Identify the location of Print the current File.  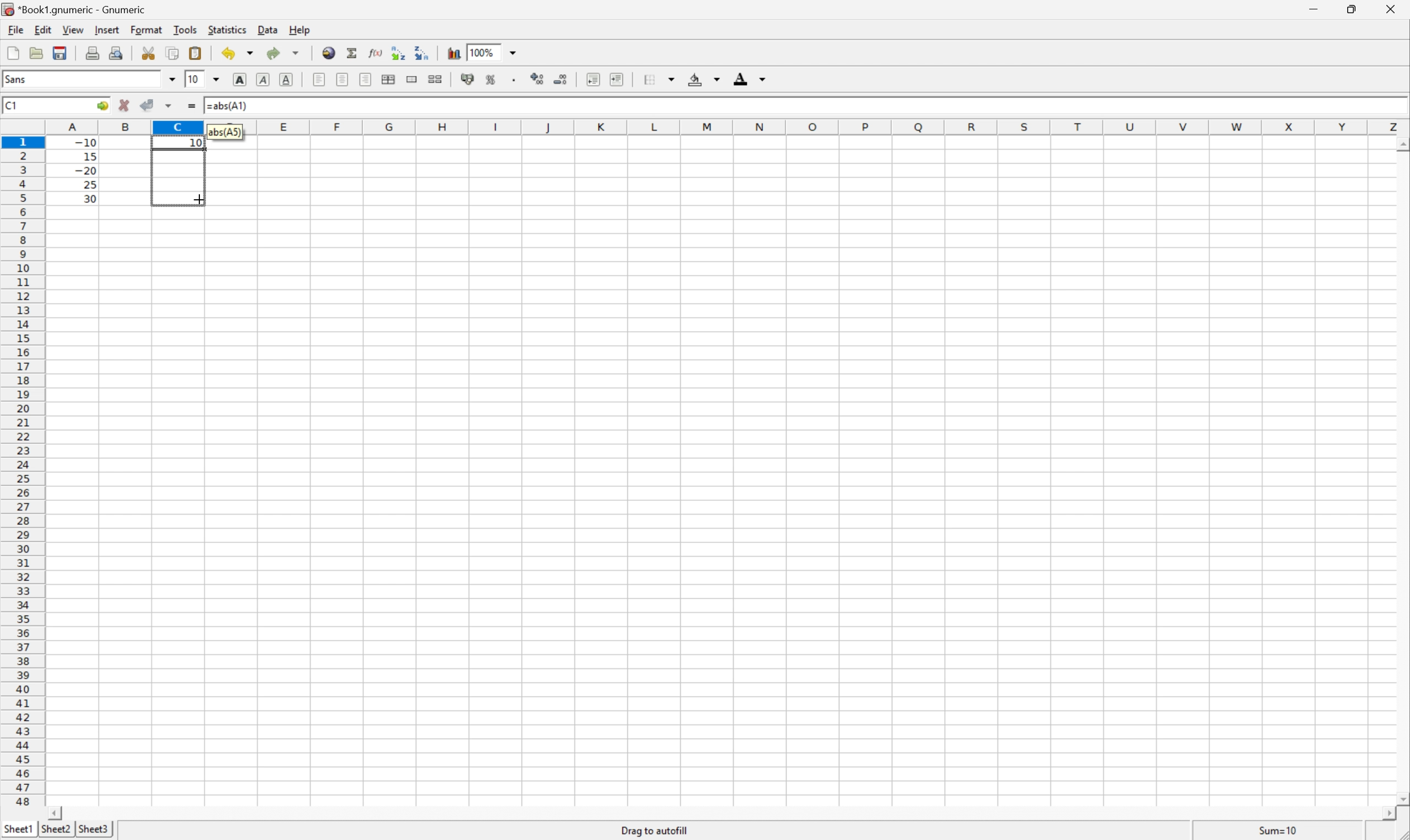
(95, 52).